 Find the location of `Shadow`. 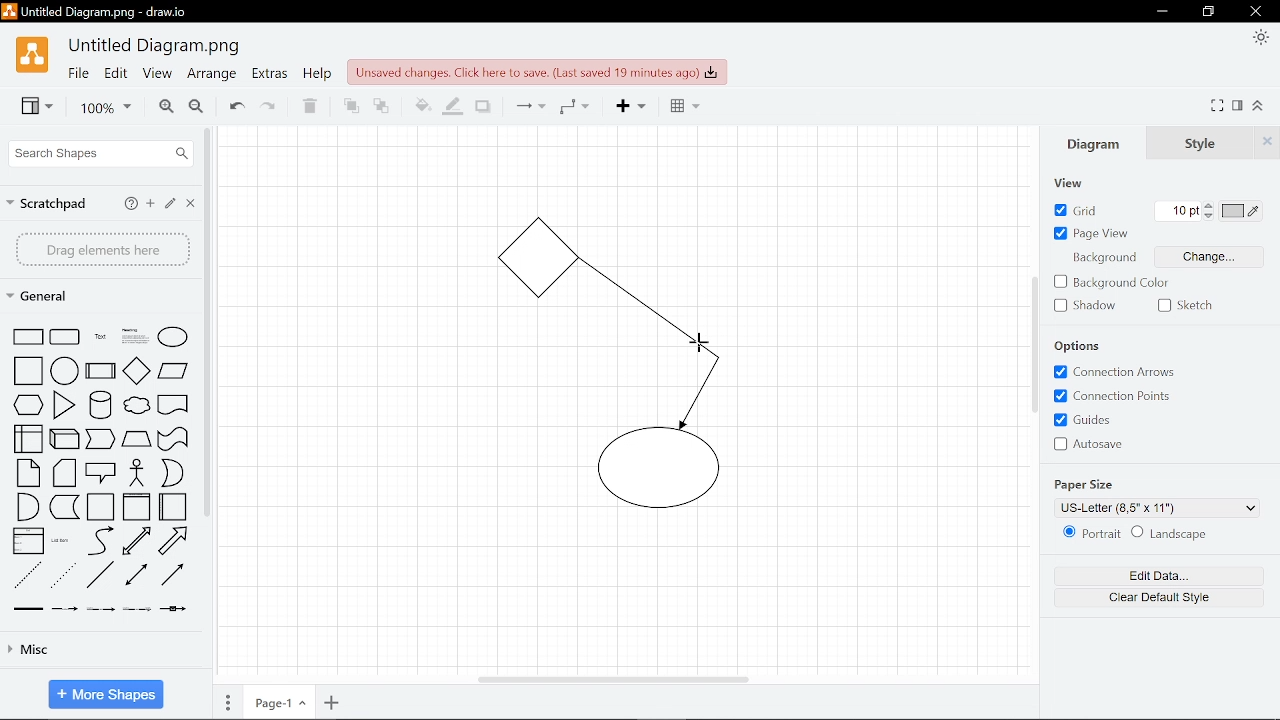

Shadow is located at coordinates (1097, 306).